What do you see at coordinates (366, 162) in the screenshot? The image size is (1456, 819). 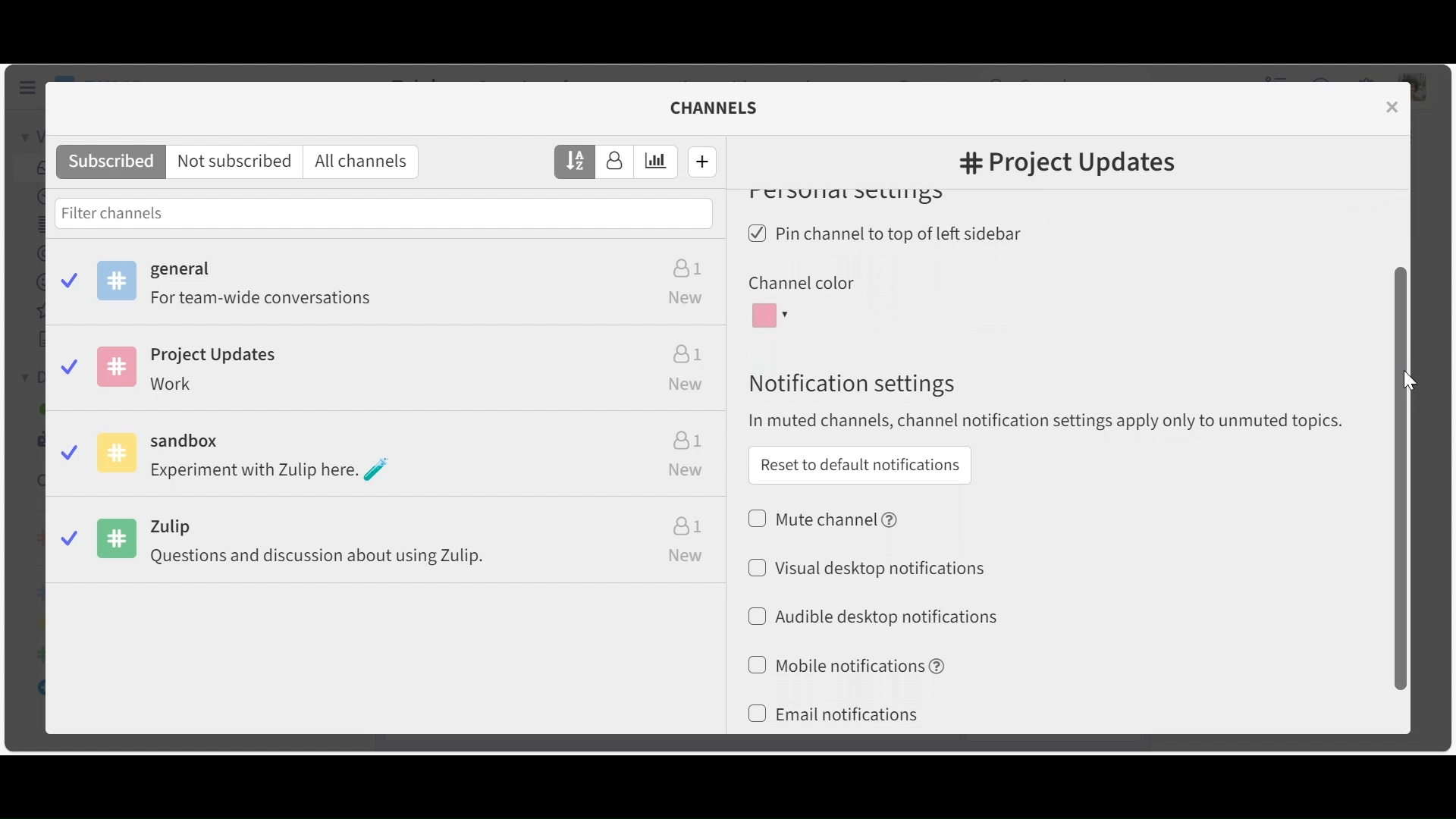 I see `All channels` at bounding box center [366, 162].